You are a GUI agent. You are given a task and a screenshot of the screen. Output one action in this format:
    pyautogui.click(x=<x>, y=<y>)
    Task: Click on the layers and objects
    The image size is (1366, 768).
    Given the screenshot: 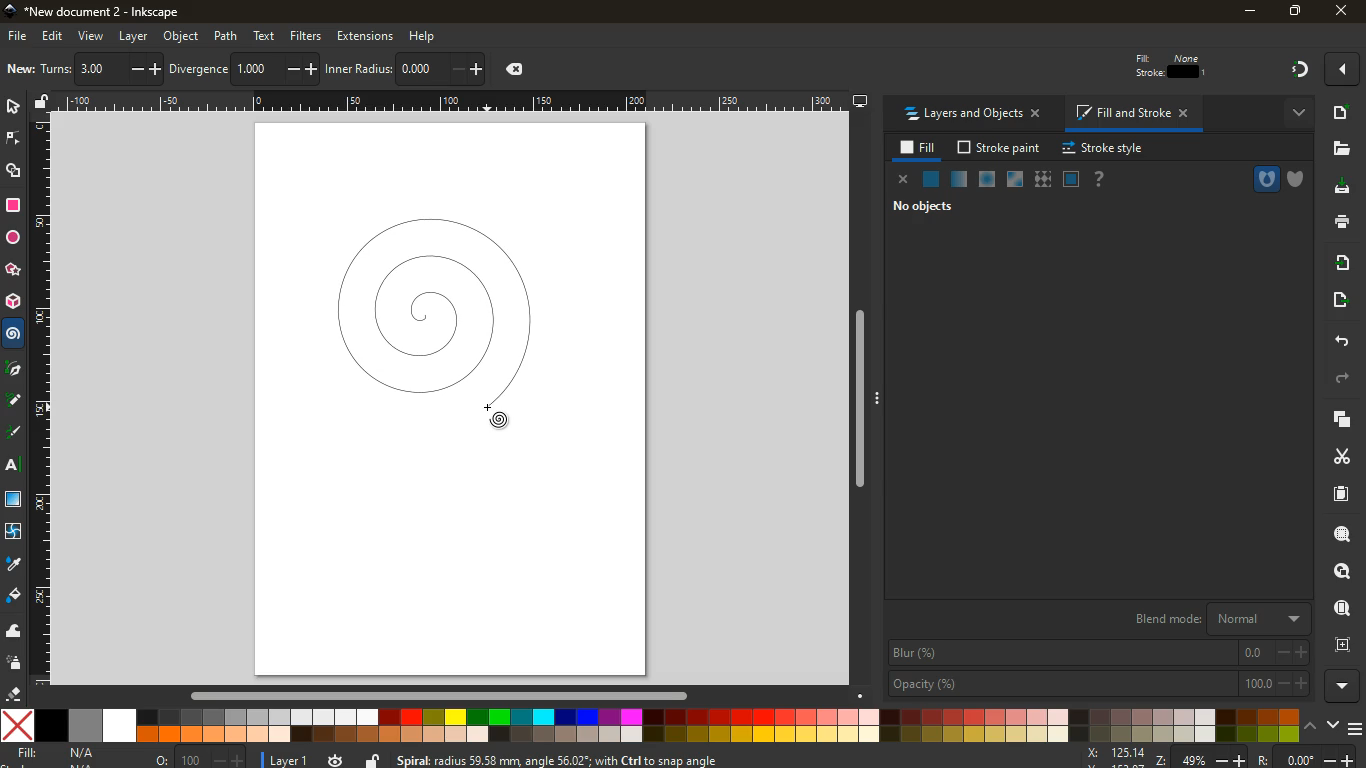 What is the action you would take?
    pyautogui.click(x=970, y=114)
    